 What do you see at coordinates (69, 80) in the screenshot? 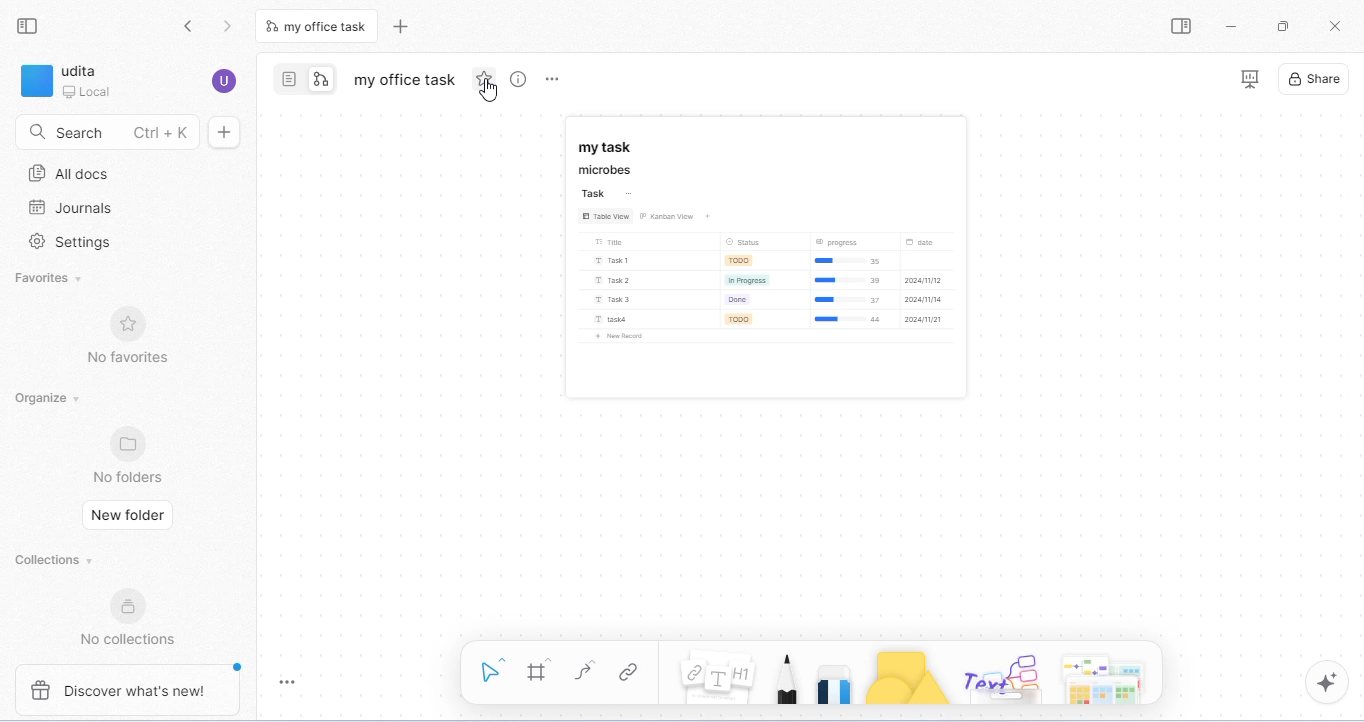
I see `workspace` at bounding box center [69, 80].